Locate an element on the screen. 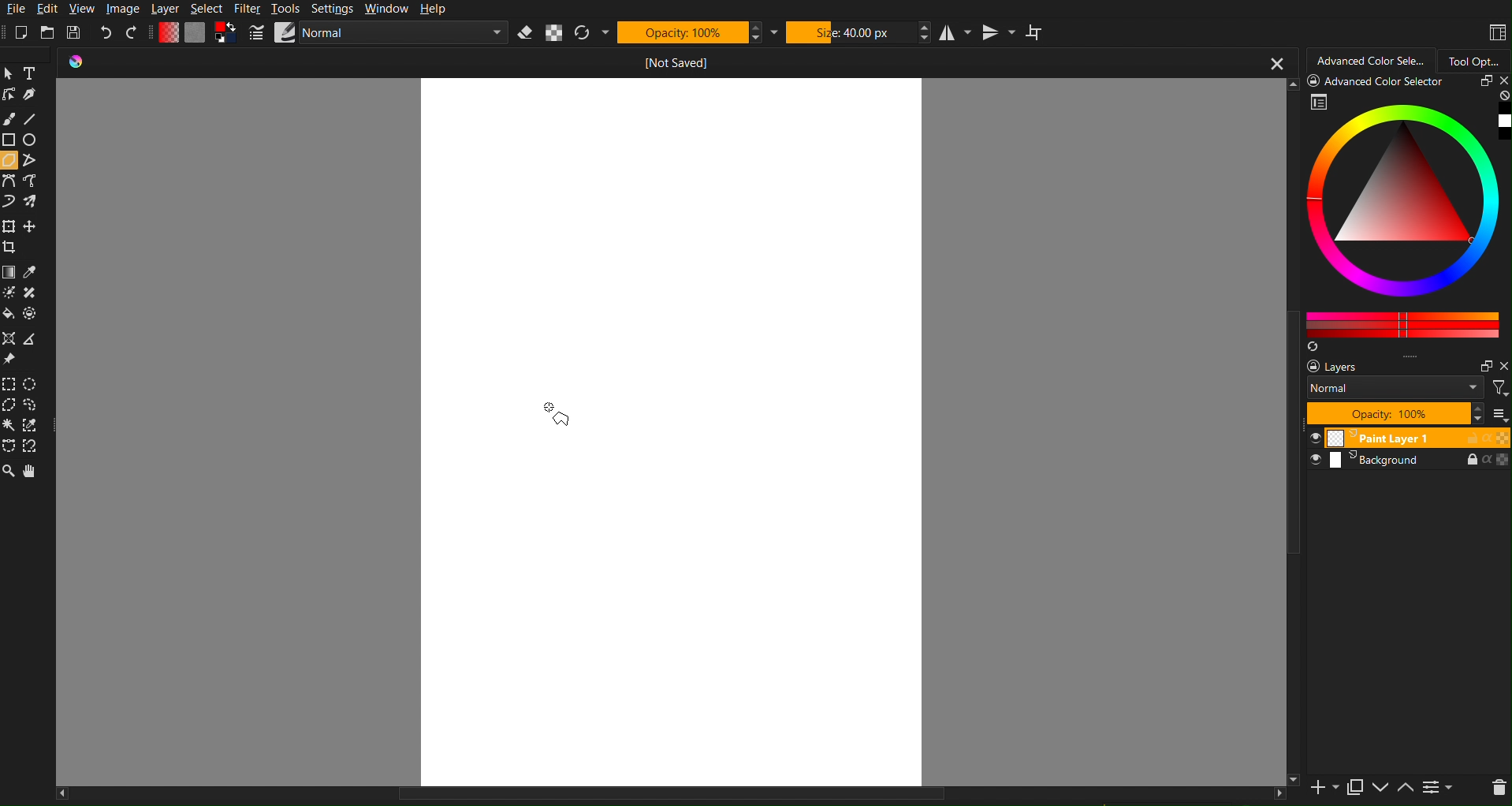 This screenshot has height=806, width=1512. Advanced Color Selector is located at coordinates (1372, 58).